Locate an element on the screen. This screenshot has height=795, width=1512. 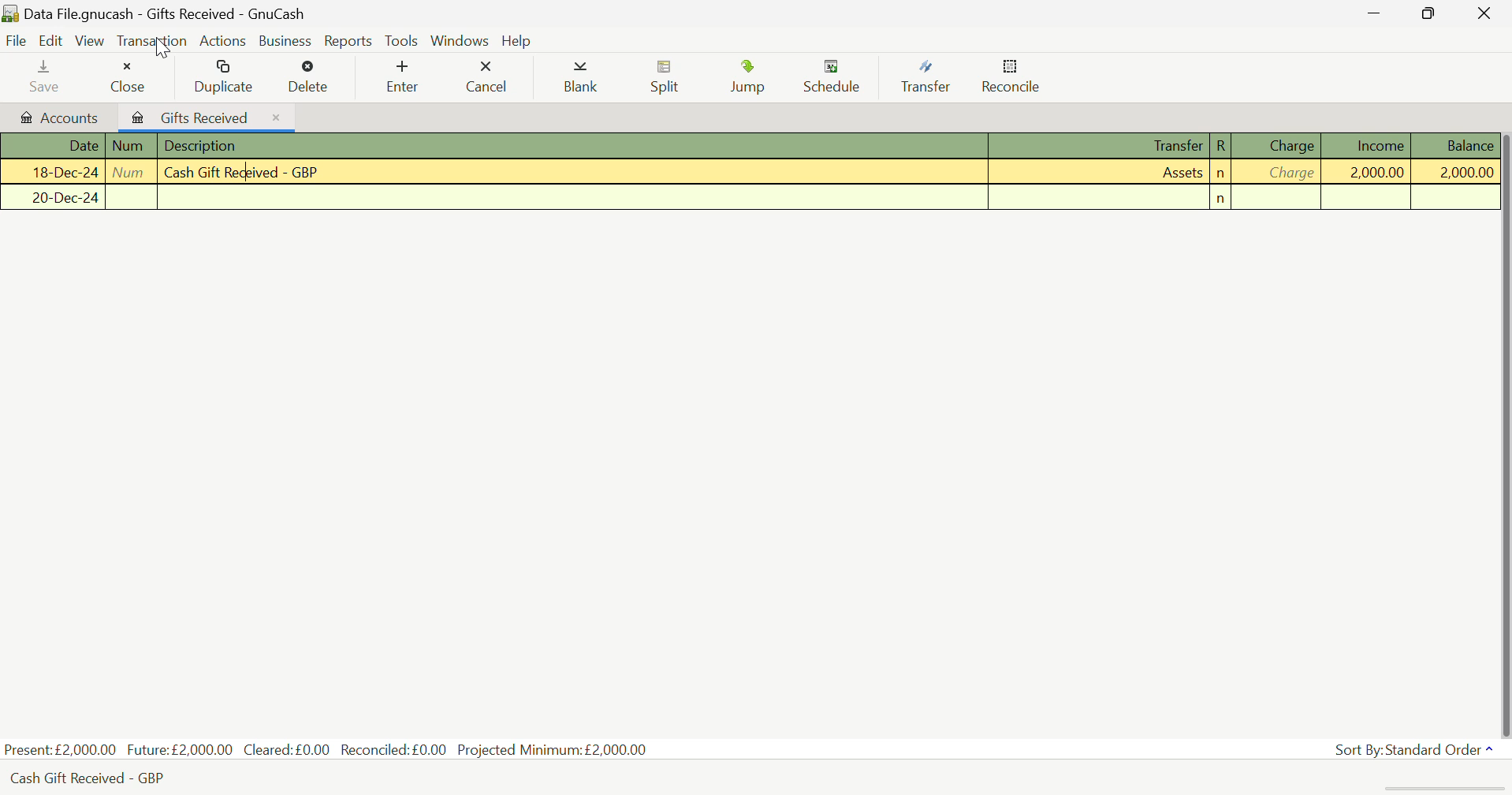
Transfer is located at coordinates (1103, 198).